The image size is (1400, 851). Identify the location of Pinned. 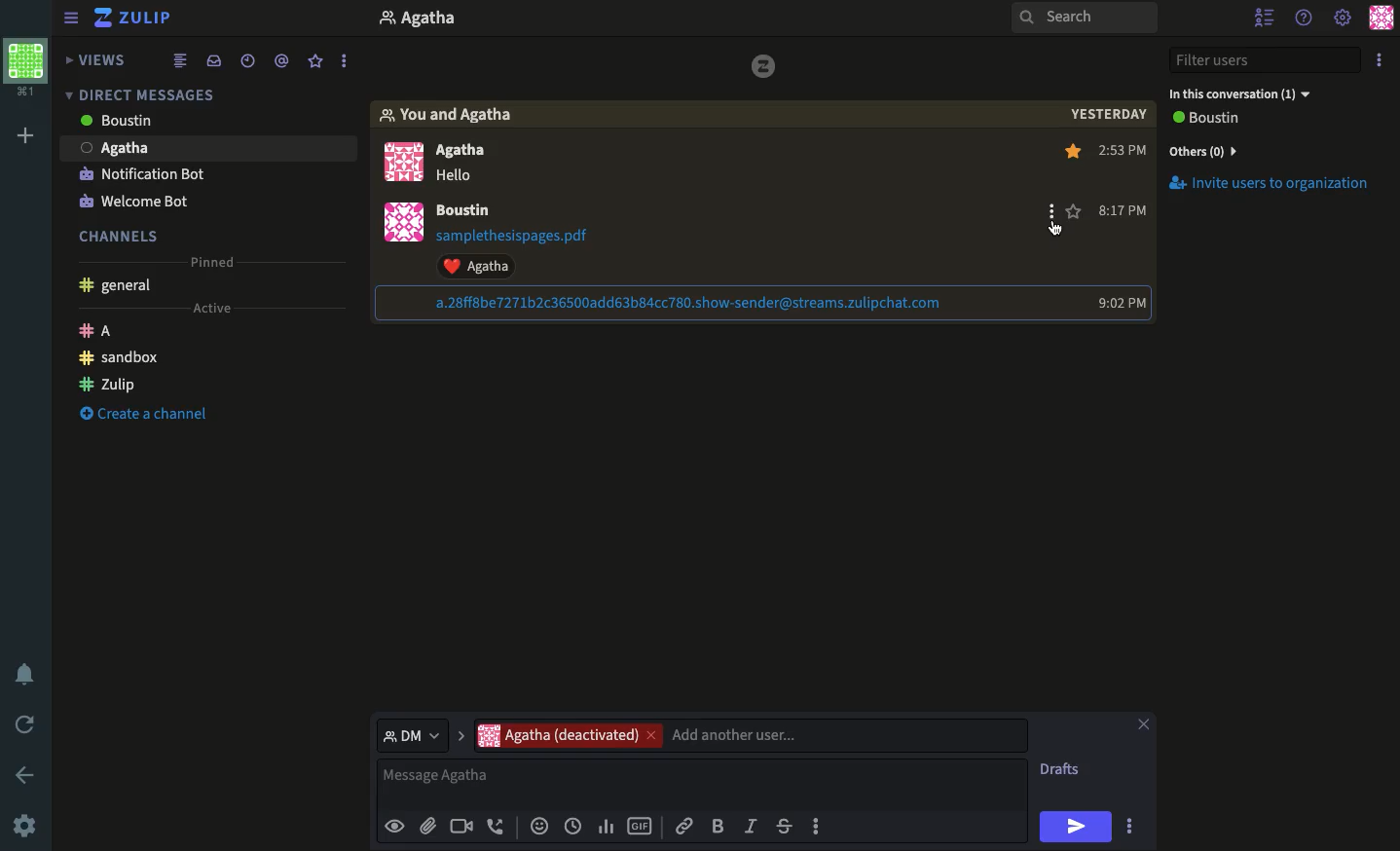
(218, 263).